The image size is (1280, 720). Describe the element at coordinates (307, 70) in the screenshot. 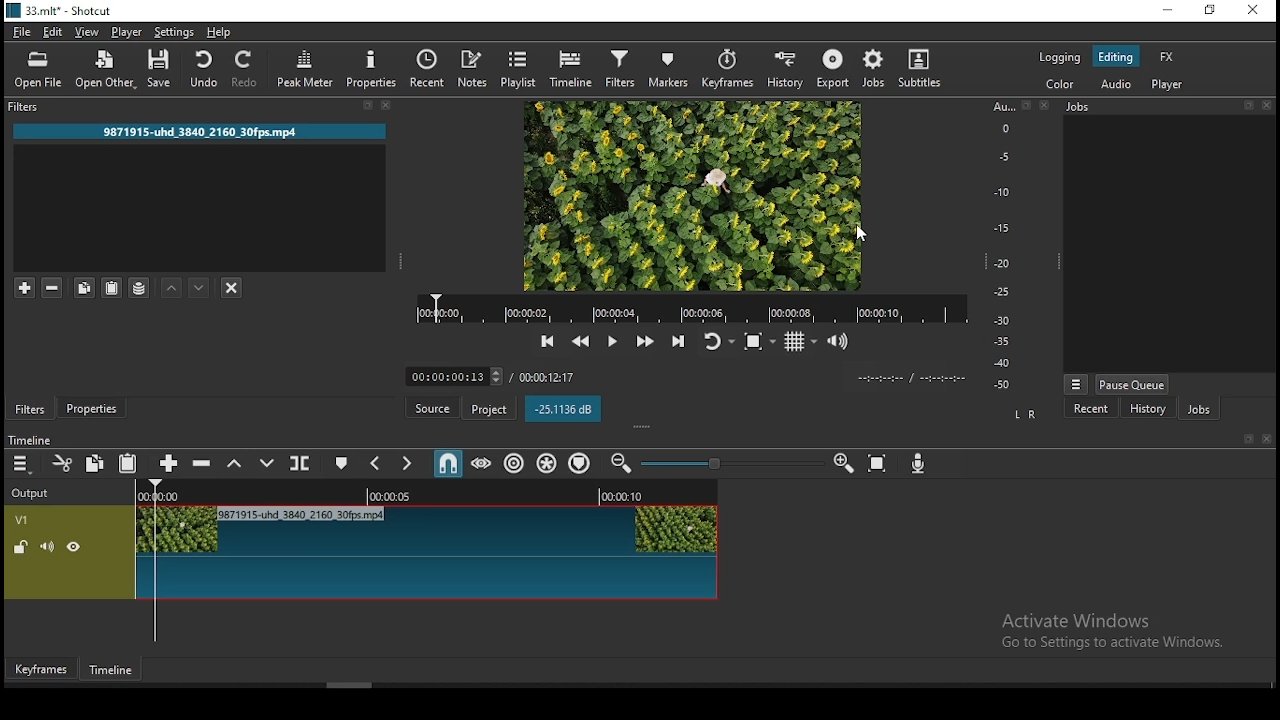

I see `peak meter` at that location.